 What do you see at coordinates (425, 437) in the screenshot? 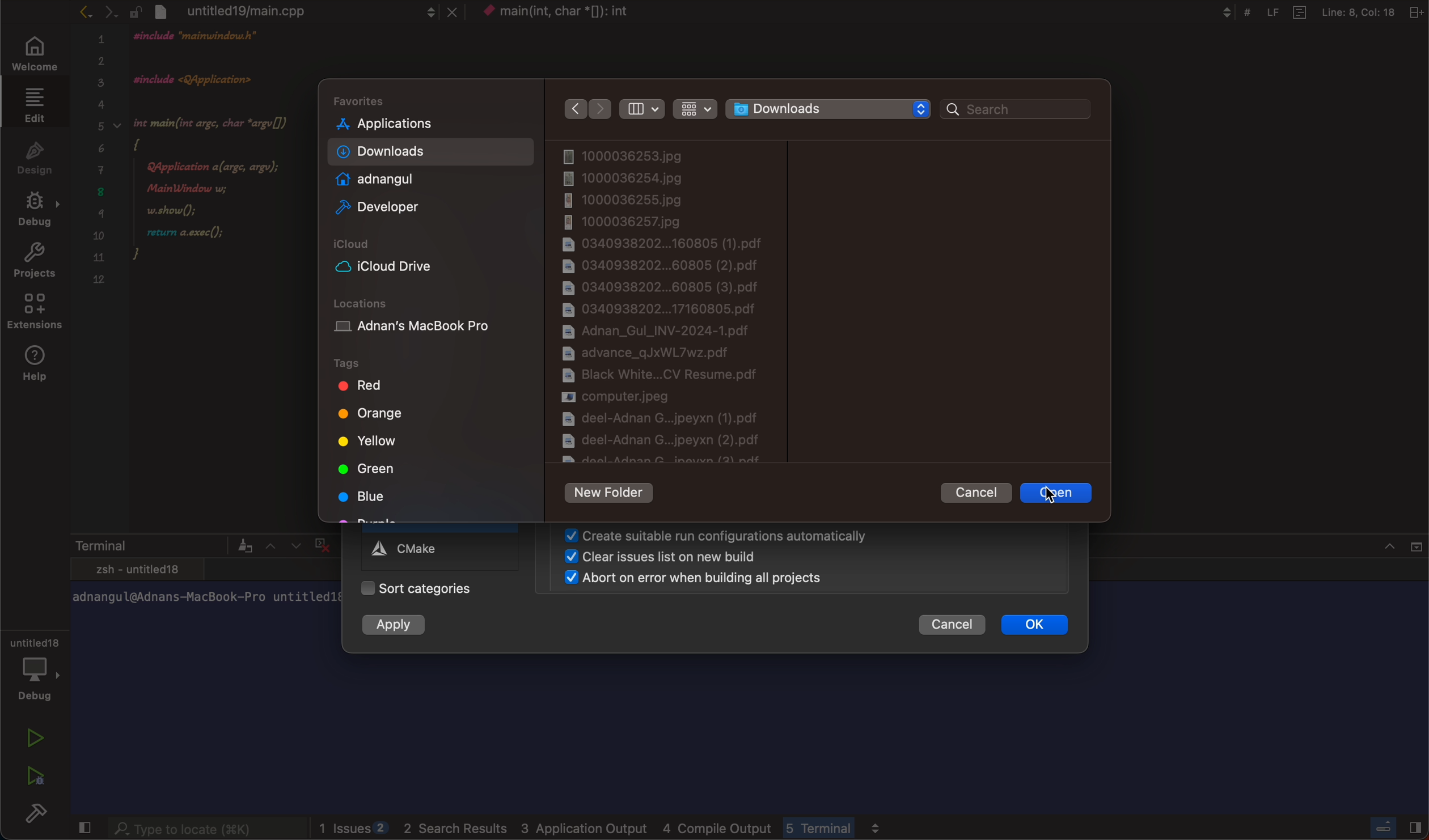
I see `tags` at bounding box center [425, 437].